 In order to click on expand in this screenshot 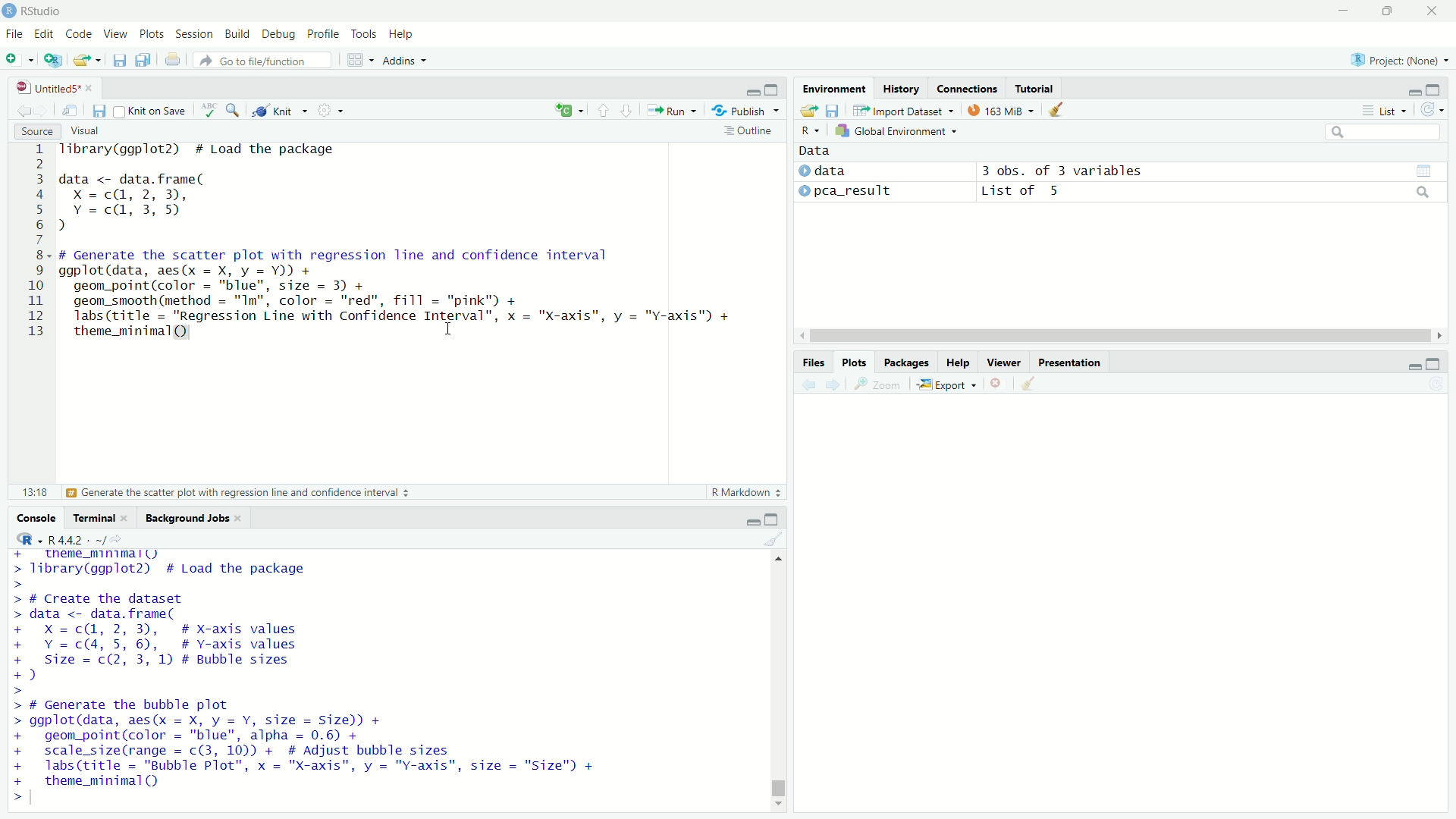, I will do `click(770, 518)`.